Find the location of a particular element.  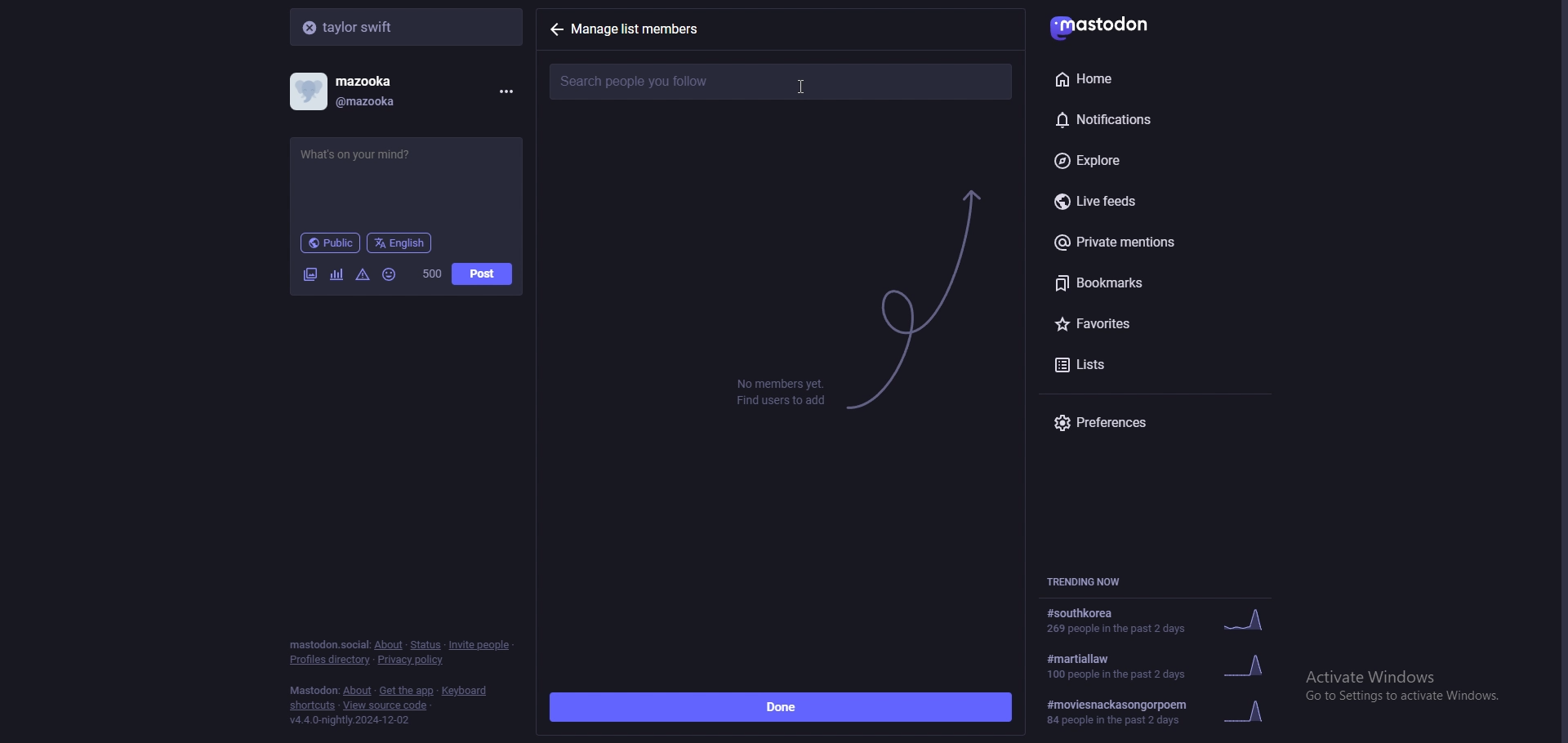

home is located at coordinates (1135, 78).